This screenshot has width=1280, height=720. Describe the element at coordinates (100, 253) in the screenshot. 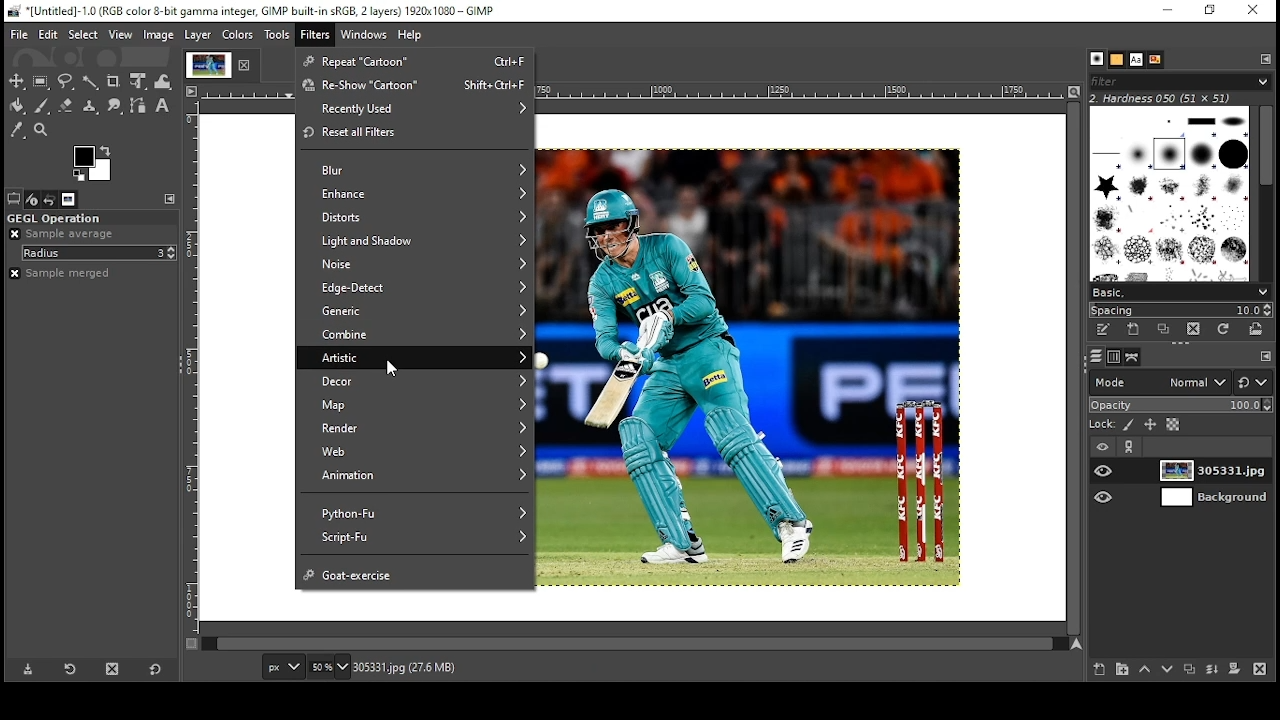

I see `radius` at that location.